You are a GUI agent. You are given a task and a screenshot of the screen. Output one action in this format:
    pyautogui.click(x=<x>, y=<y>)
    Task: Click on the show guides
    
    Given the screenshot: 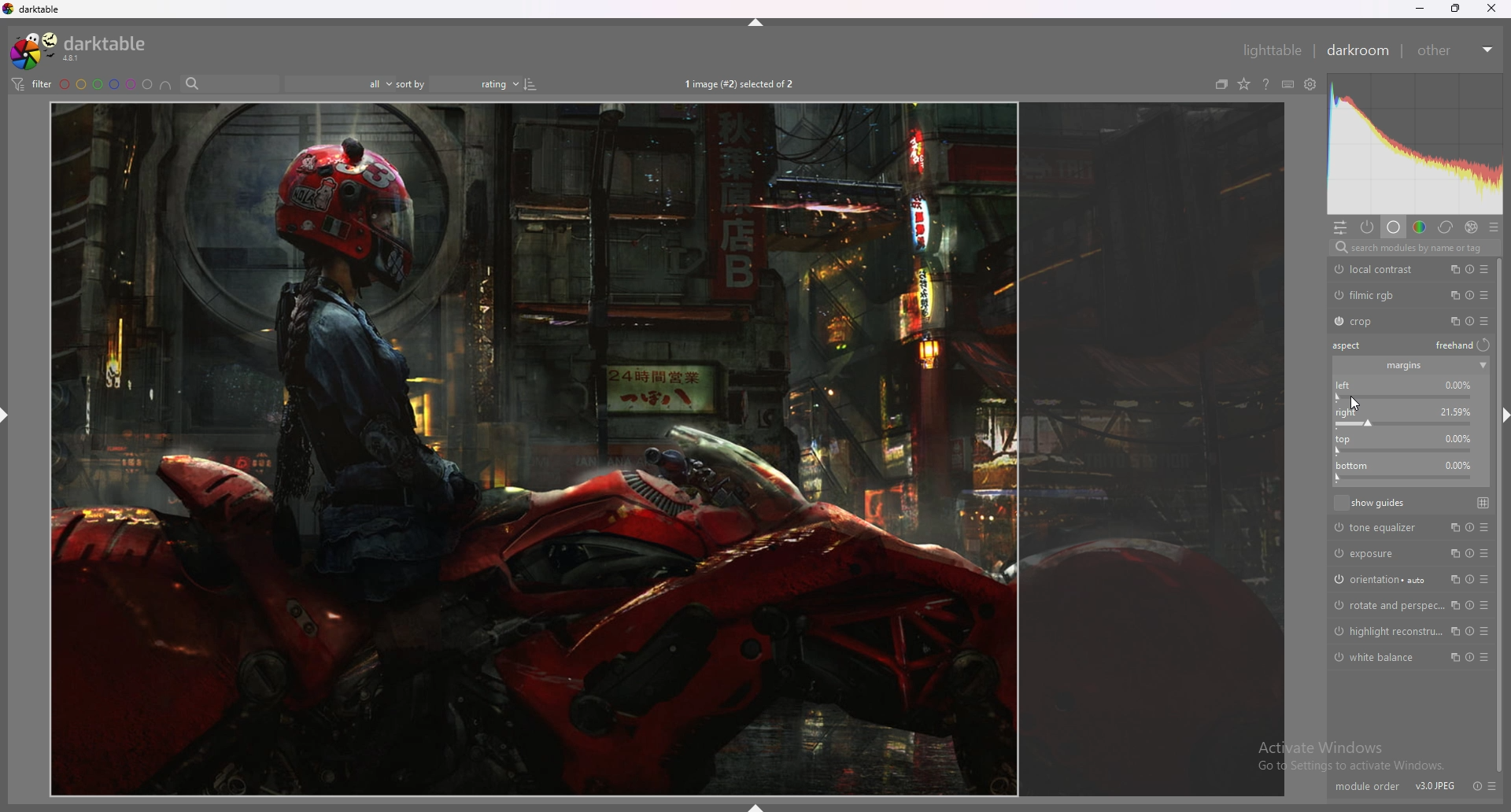 What is the action you would take?
    pyautogui.click(x=1370, y=502)
    